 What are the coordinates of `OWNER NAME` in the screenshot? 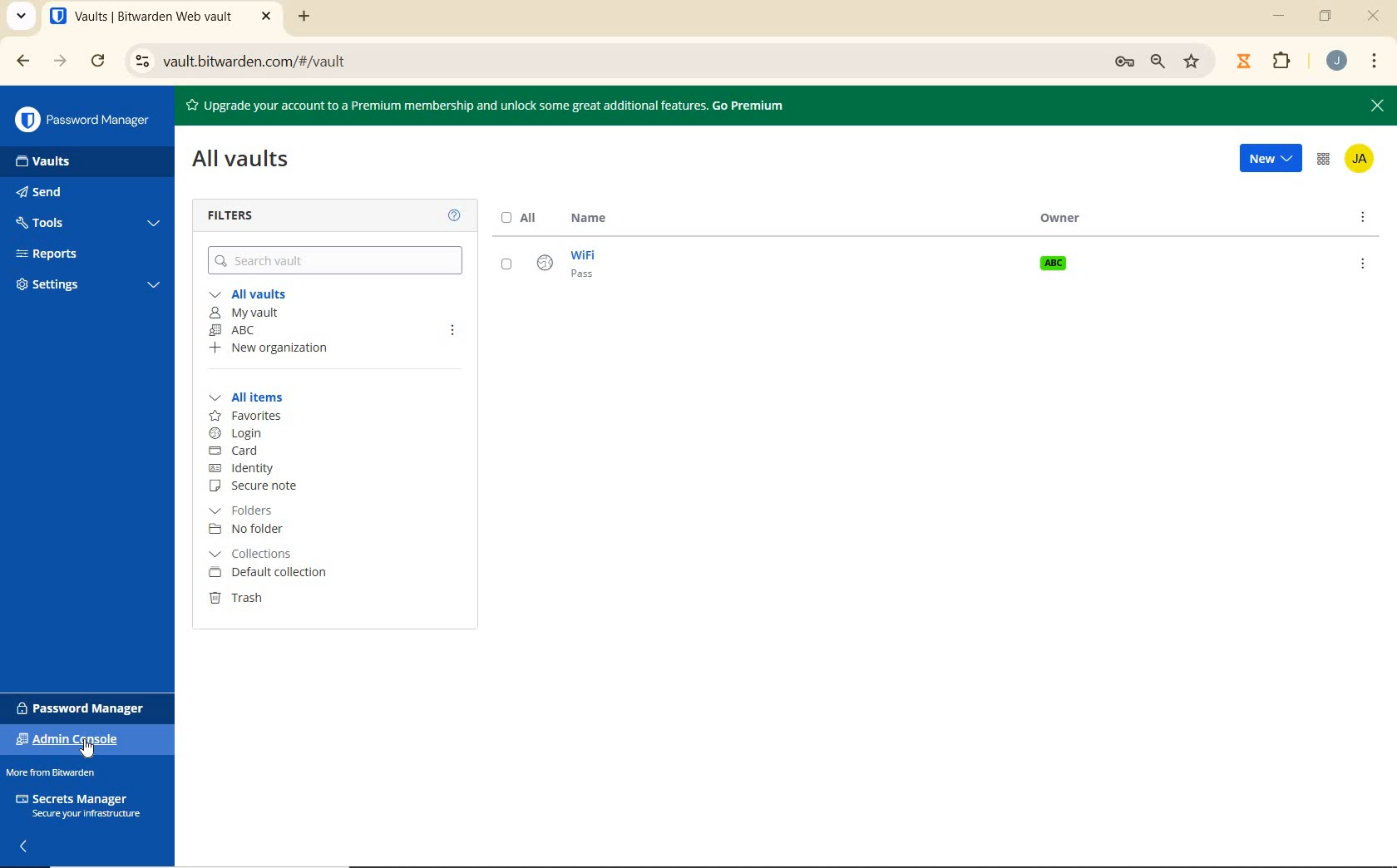 It's located at (1051, 262).